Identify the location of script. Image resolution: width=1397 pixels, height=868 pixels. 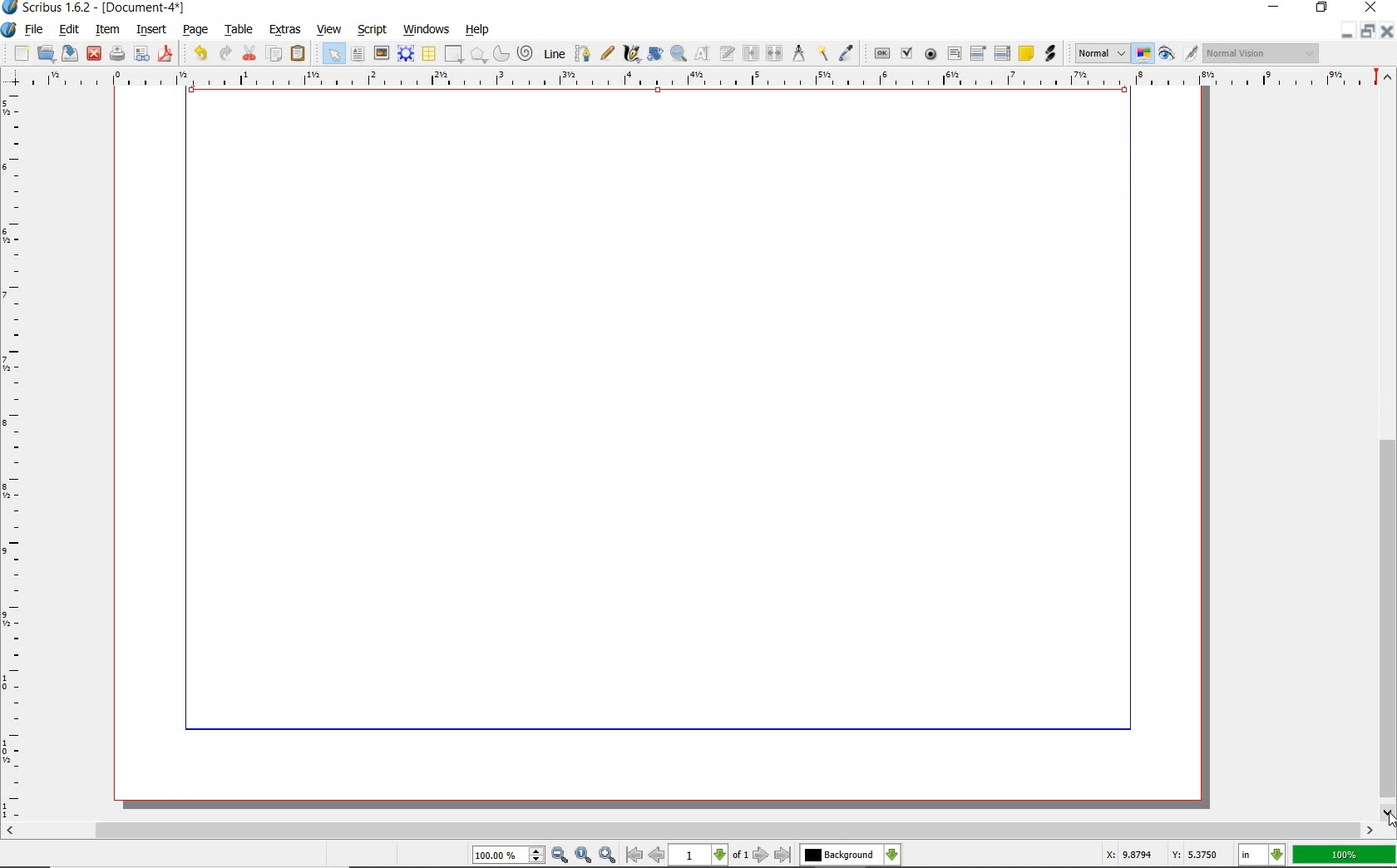
(374, 30).